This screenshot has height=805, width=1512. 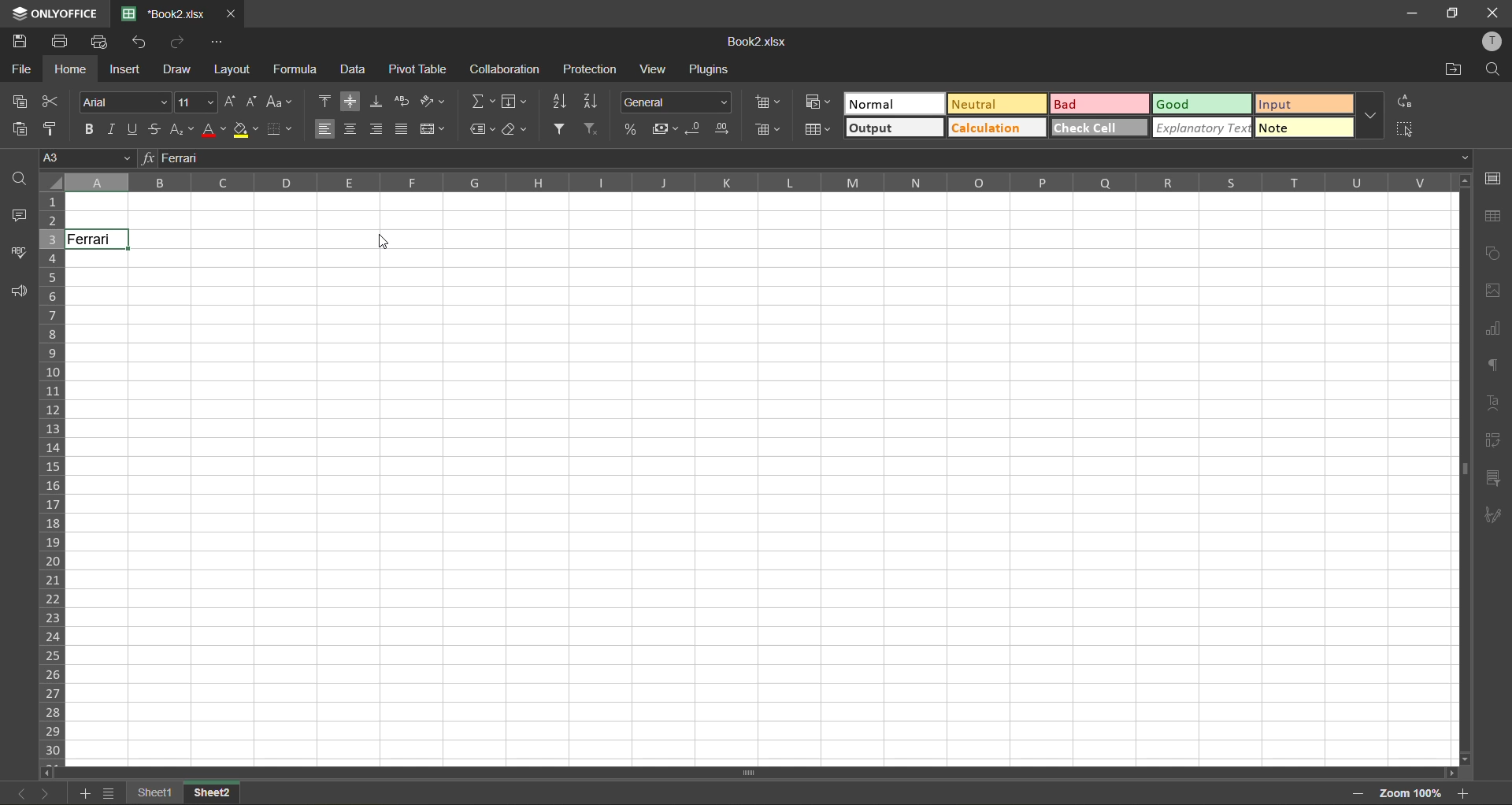 I want to click on change case, so click(x=283, y=102).